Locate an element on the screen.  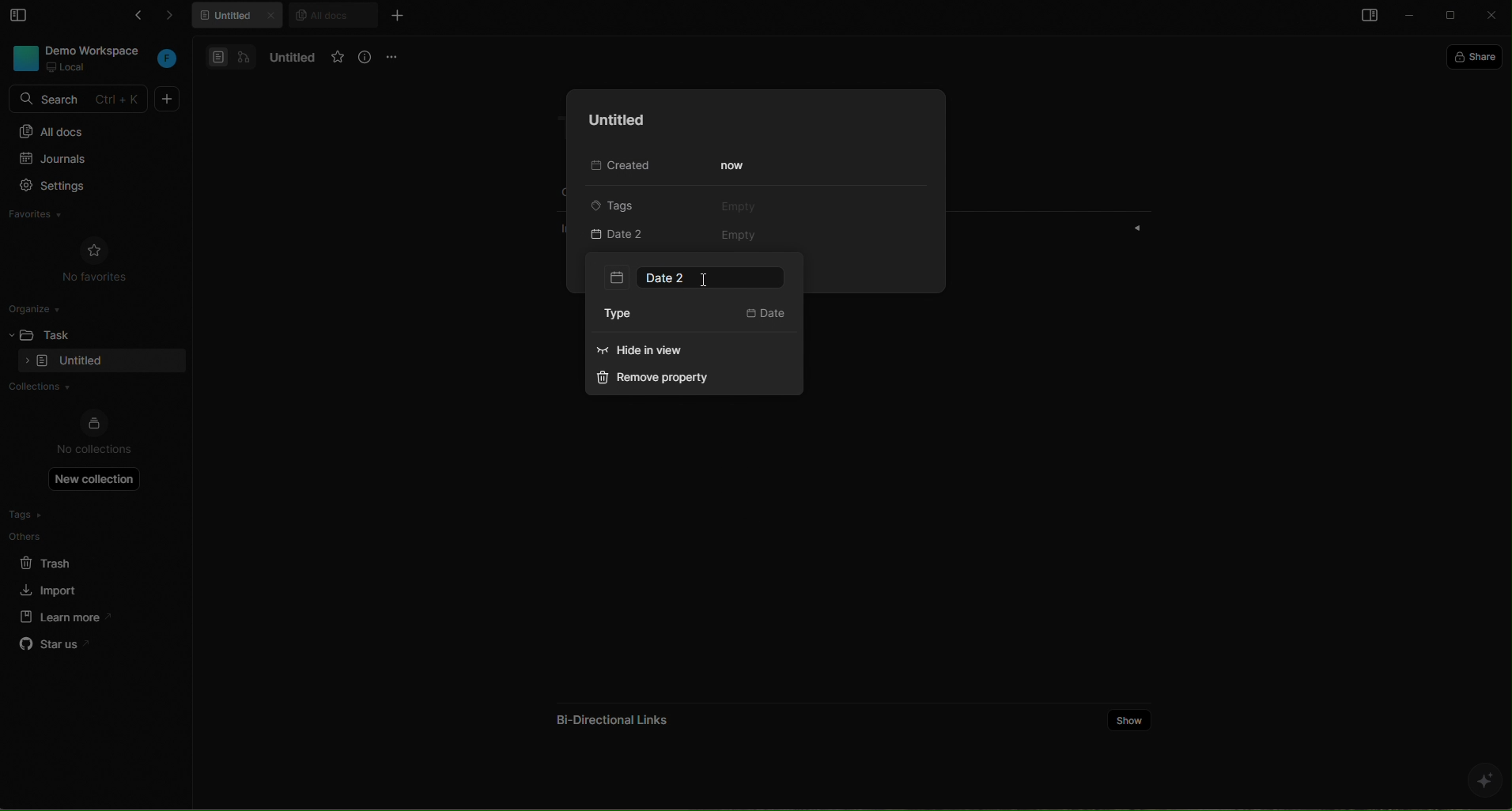
add property is located at coordinates (637, 236).